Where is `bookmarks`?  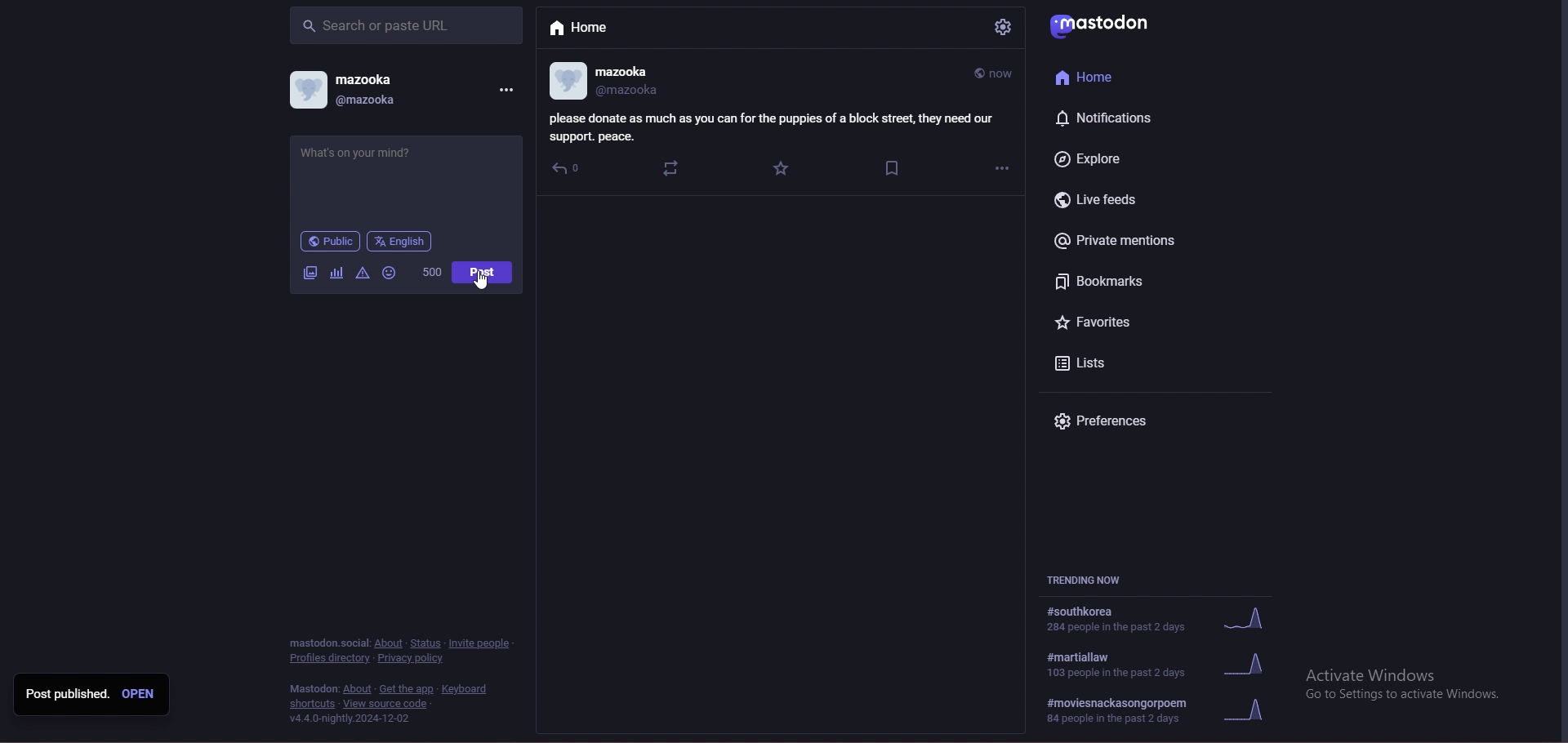 bookmarks is located at coordinates (1137, 284).